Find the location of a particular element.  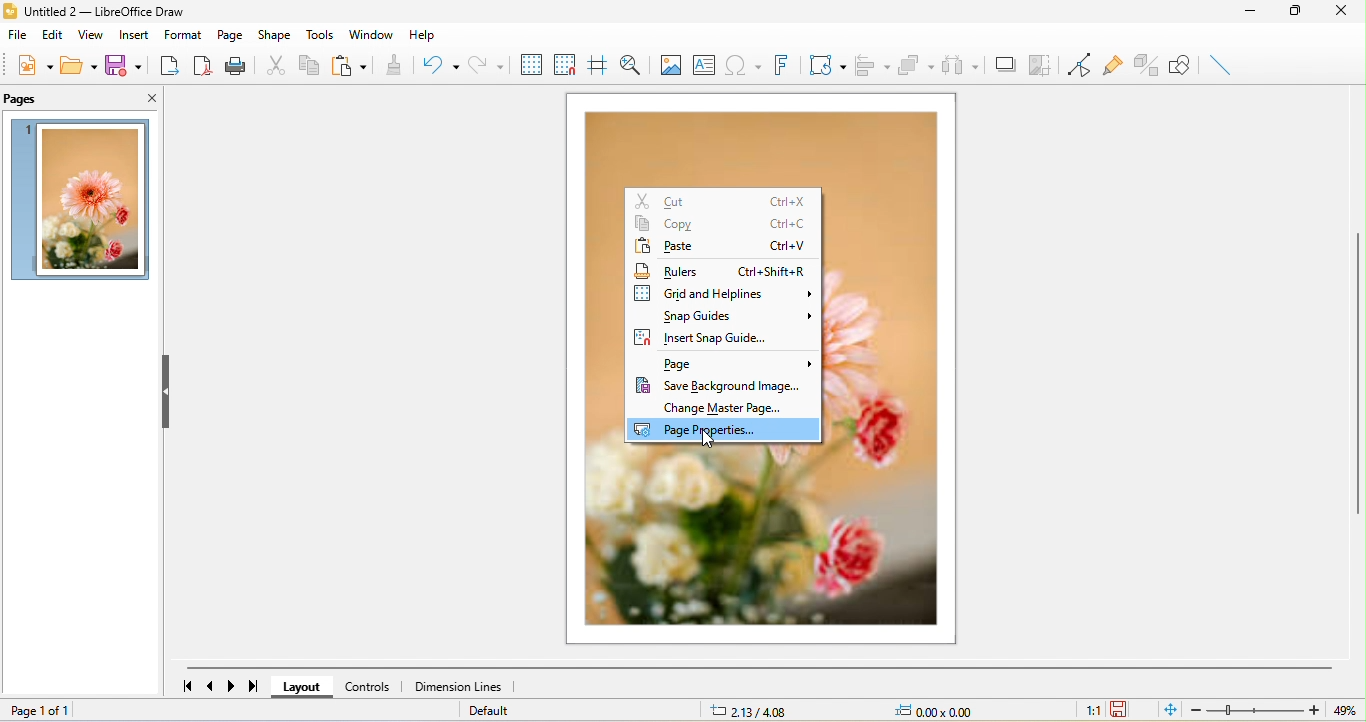

save is located at coordinates (122, 64).